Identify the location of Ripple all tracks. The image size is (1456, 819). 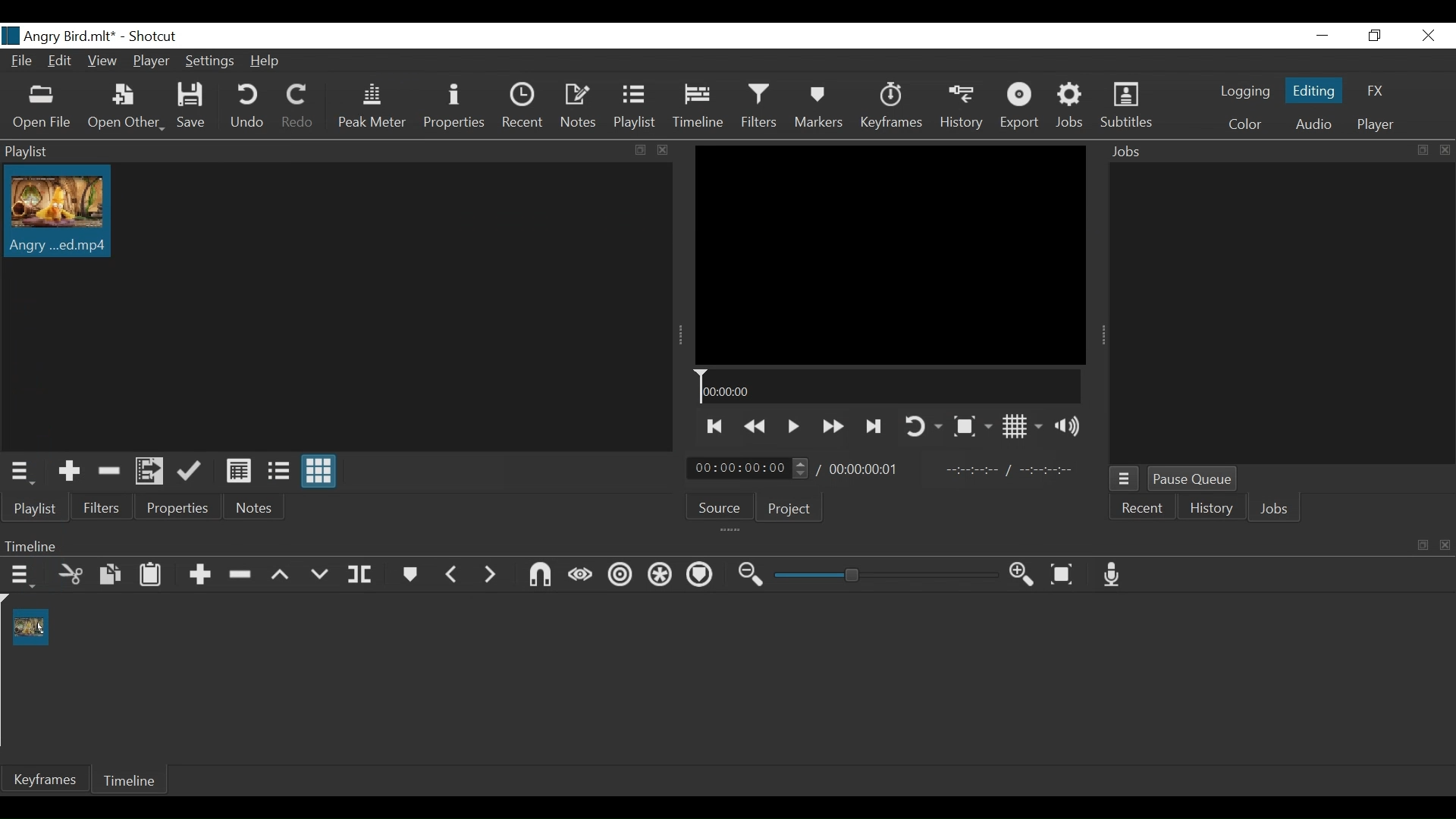
(658, 576).